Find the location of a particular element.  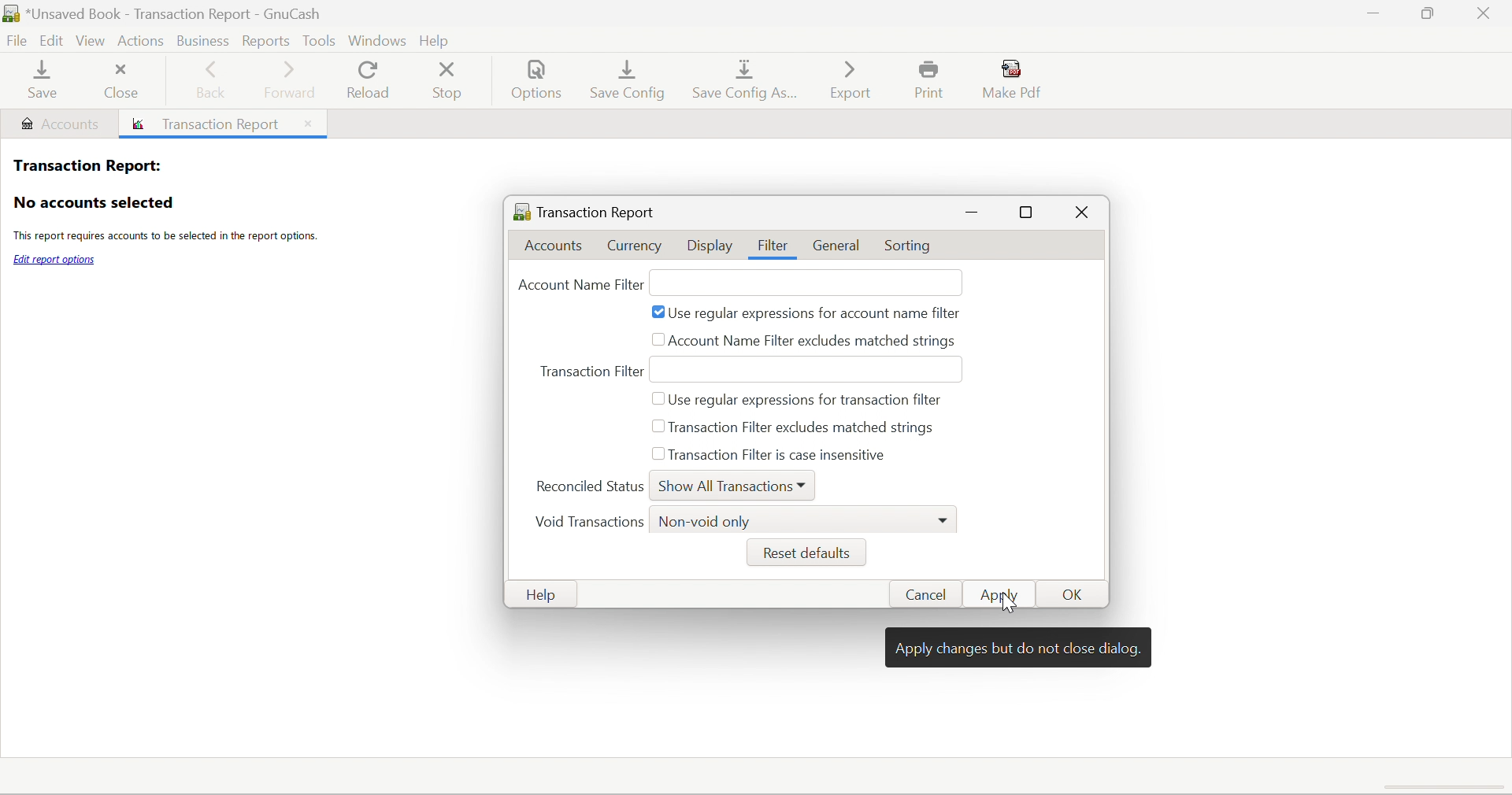

Accounts is located at coordinates (59, 124).